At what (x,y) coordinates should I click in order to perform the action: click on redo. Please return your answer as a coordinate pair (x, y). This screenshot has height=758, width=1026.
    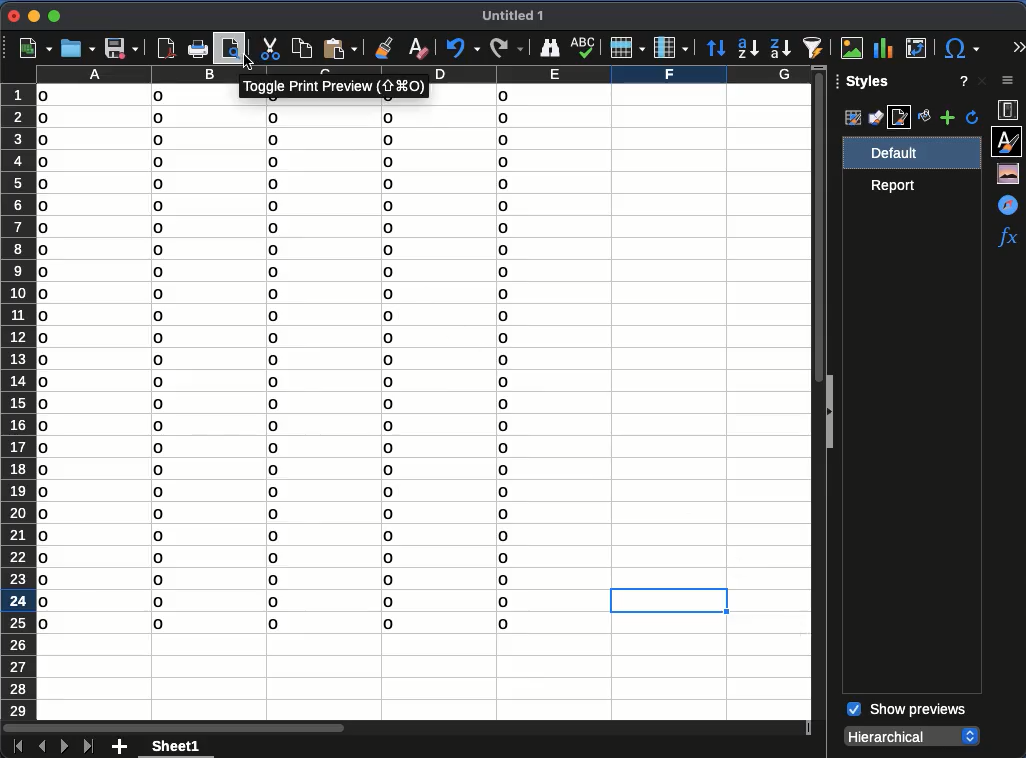
    Looking at the image, I should click on (506, 46).